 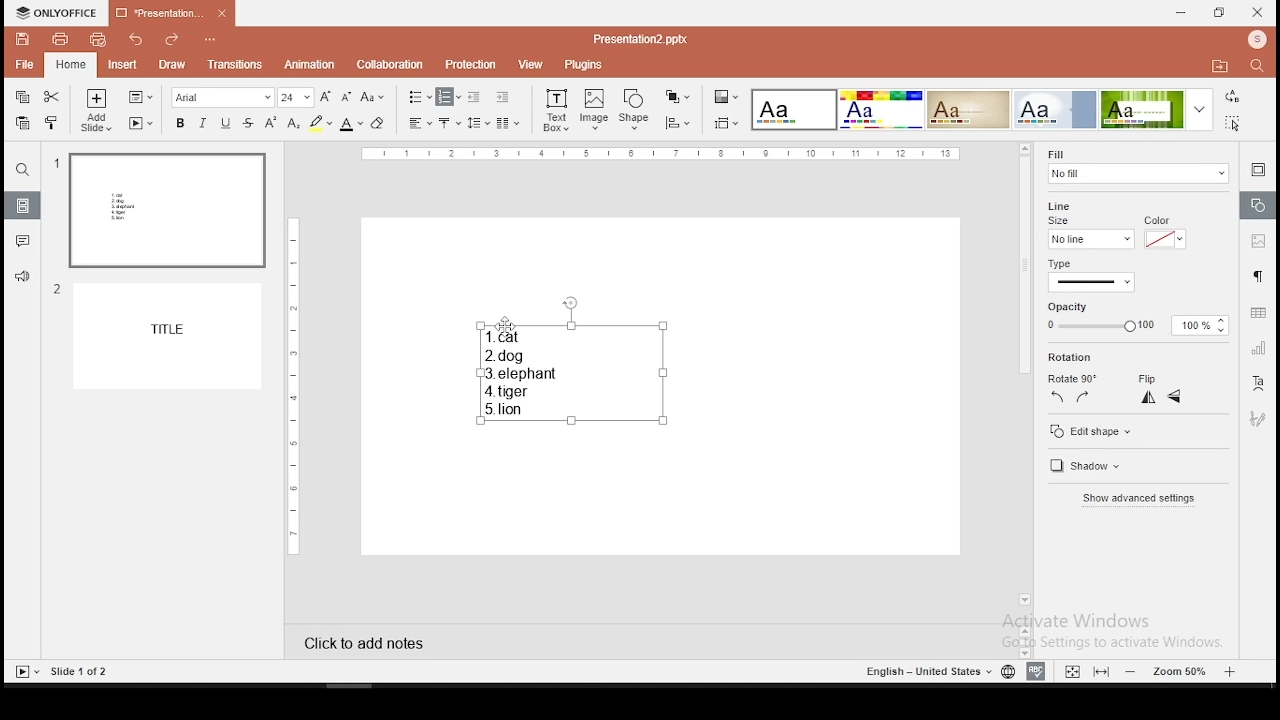 I want to click on font color, so click(x=351, y=123).